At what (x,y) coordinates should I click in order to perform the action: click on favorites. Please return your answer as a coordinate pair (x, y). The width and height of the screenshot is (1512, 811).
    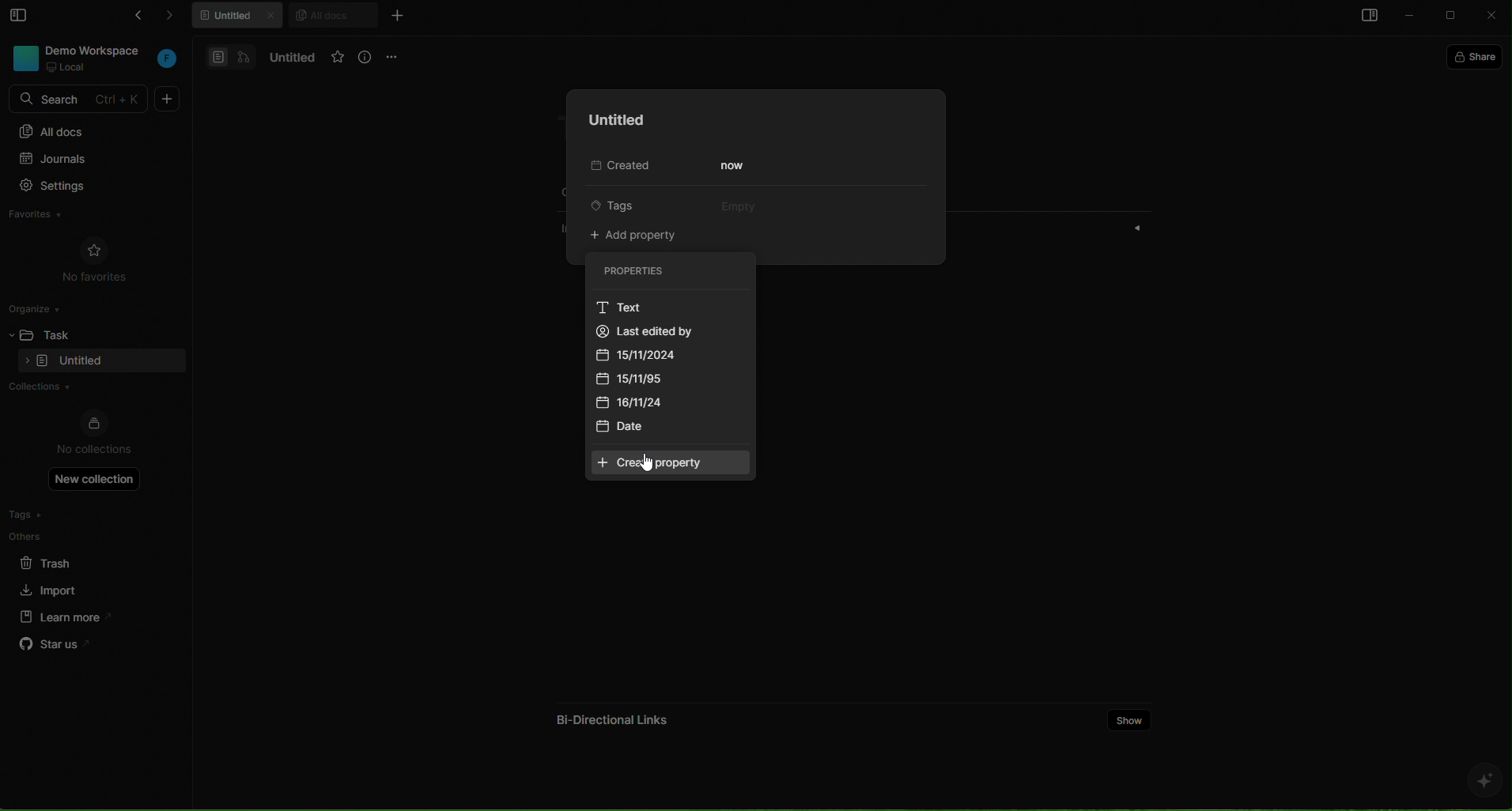
    Looking at the image, I should click on (338, 58).